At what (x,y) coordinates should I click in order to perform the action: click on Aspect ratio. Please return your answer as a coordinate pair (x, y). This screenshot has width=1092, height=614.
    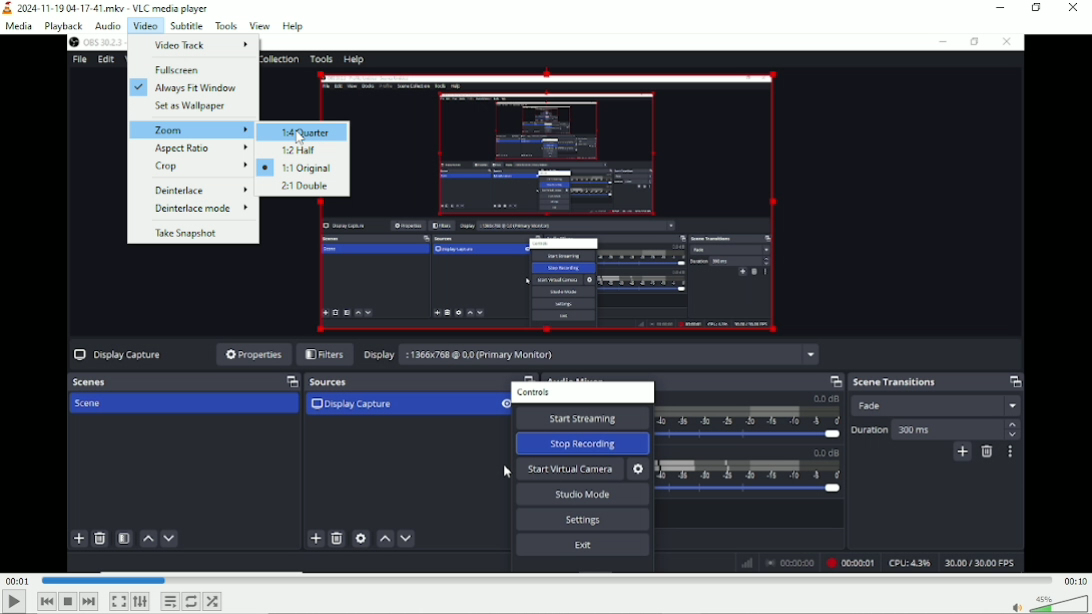
    Looking at the image, I should click on (195, 147).